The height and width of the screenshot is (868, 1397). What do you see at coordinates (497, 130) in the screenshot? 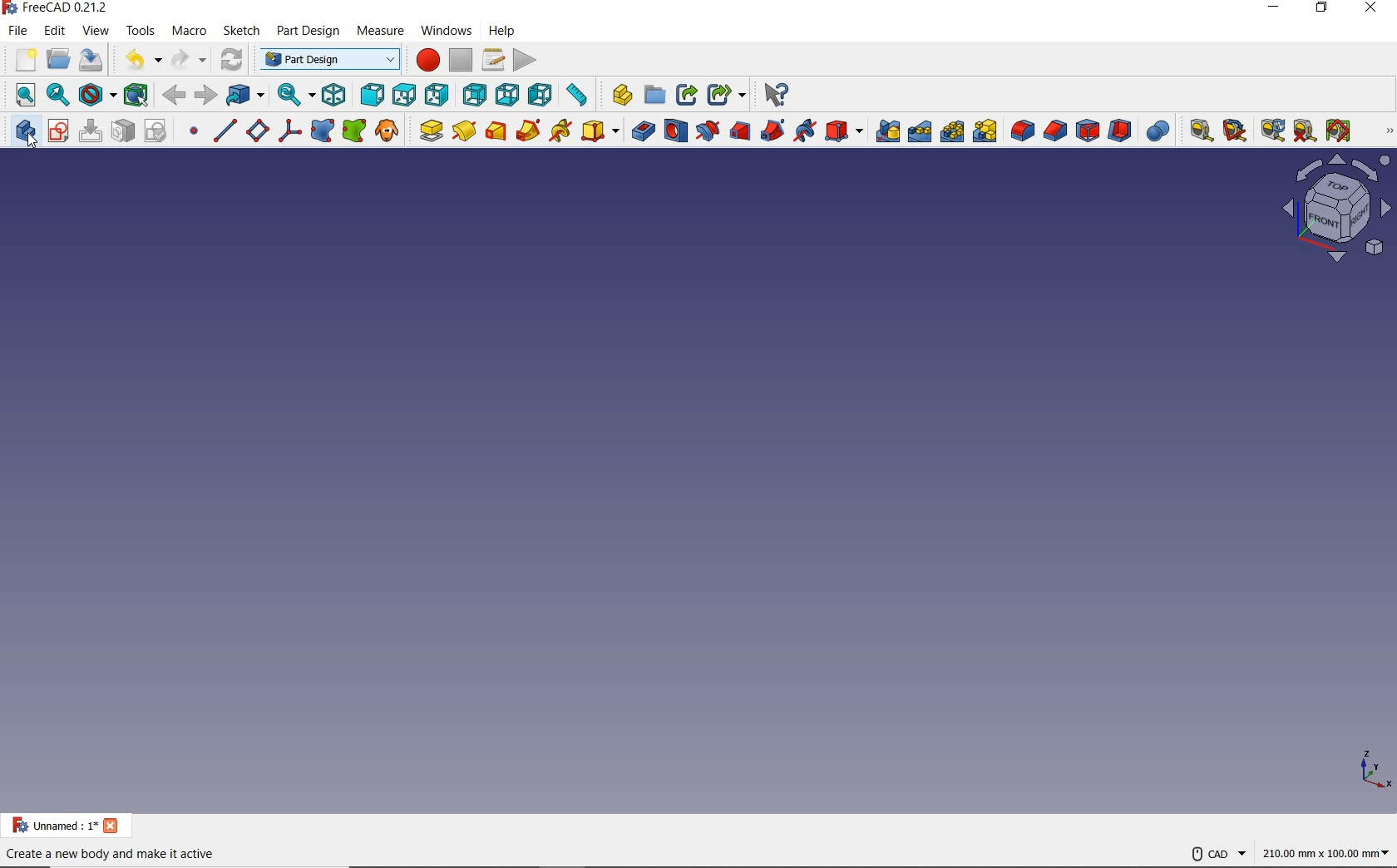
I see `ADDITIVE LOFT` at bounding box center [497, 130].